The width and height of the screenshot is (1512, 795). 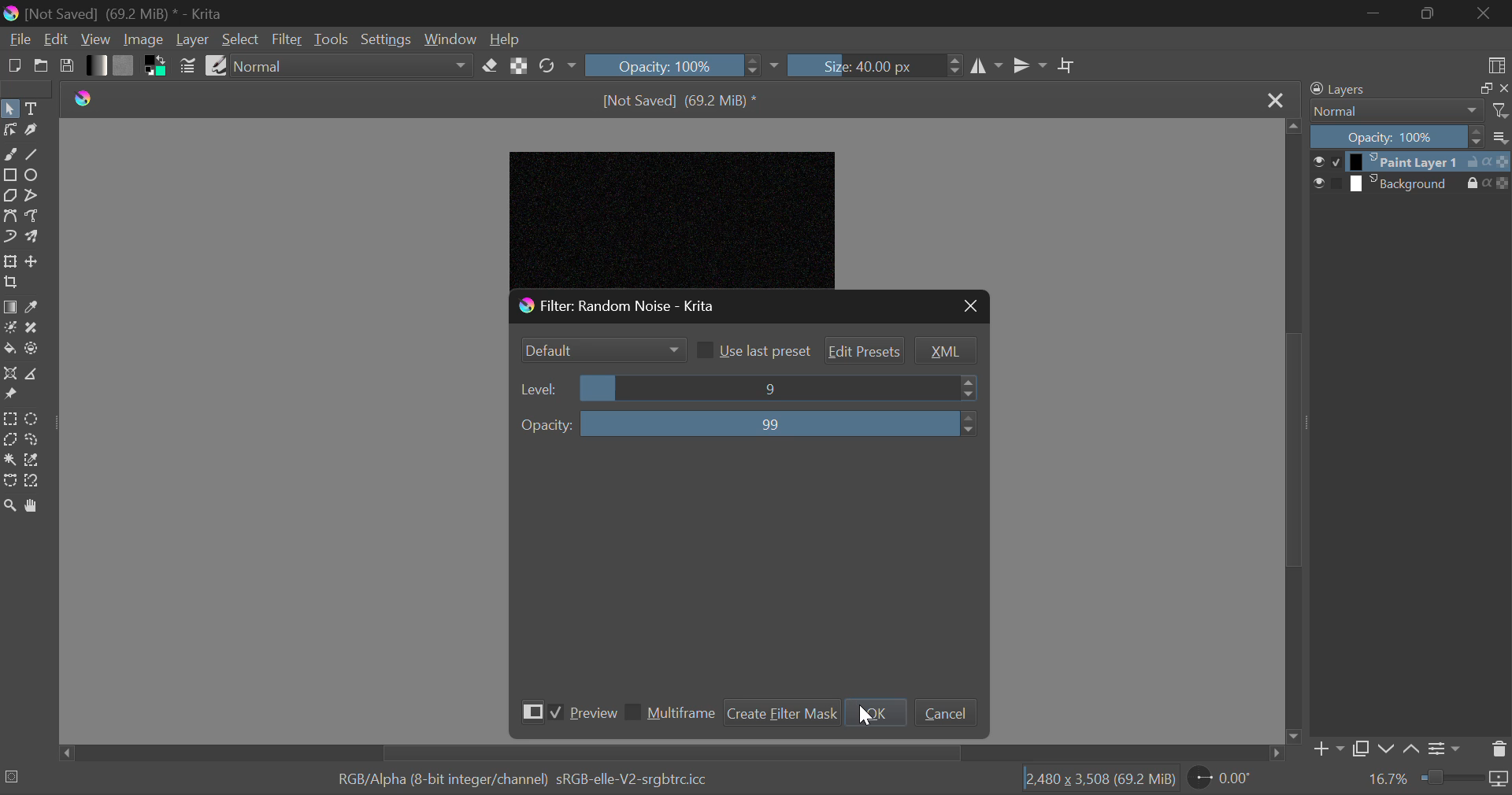 What do you see at coordinates (1293, 429) in the screenshot?
I see `Scroll Bar` at bounding box center [1293, 429].